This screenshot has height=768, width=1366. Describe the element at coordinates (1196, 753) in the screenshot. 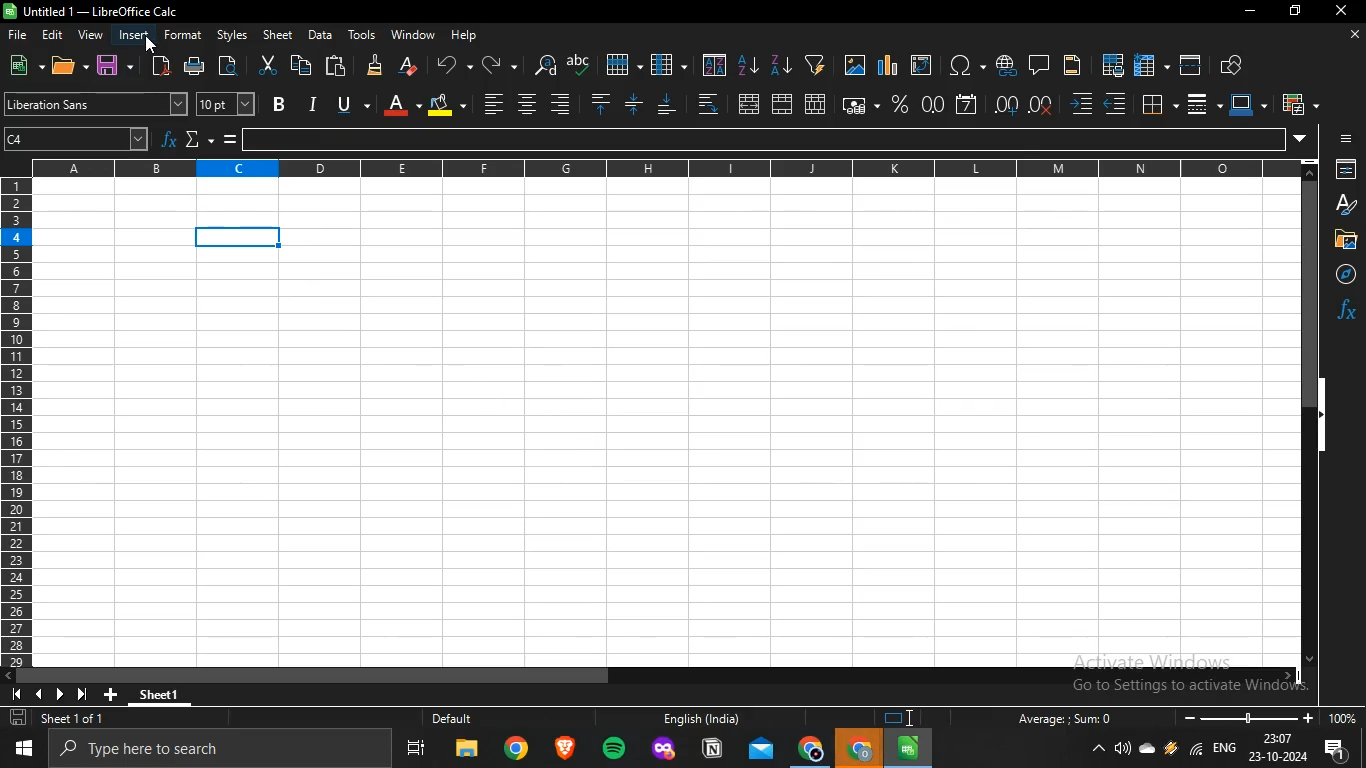

I see `wifi` at that location.